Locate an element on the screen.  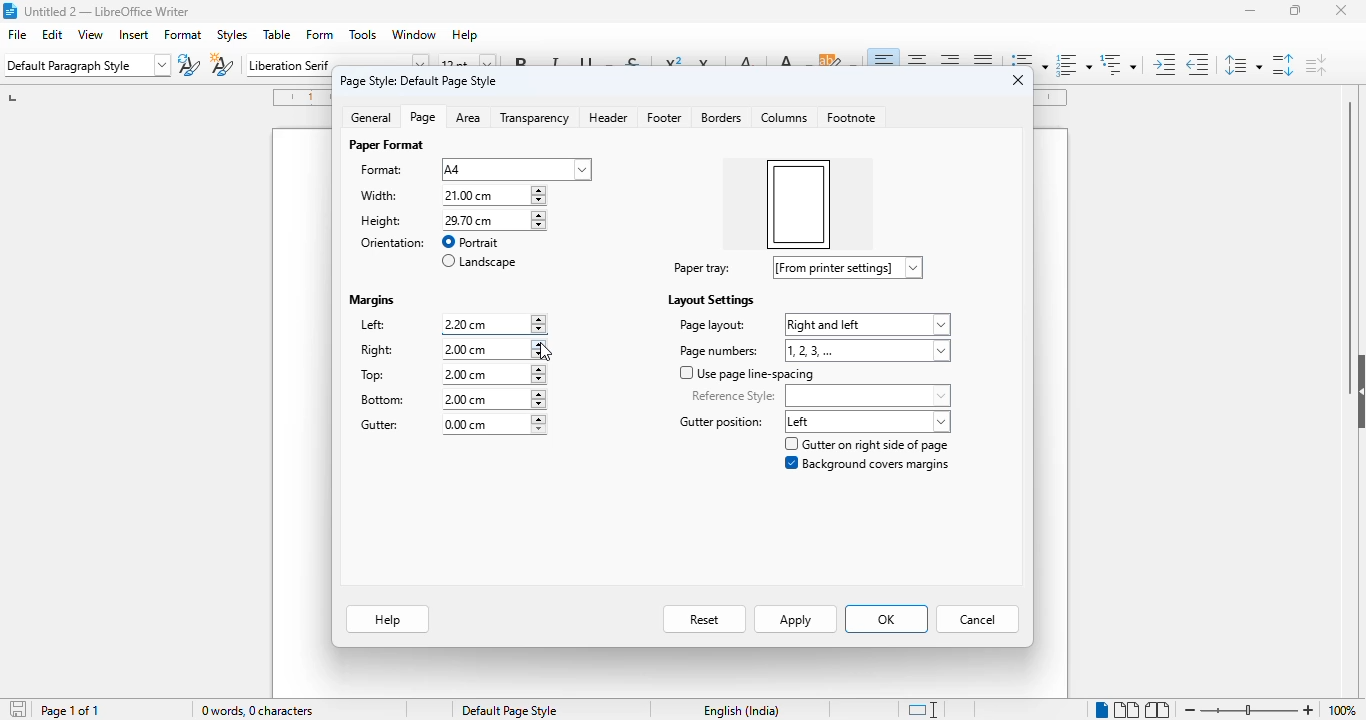
format options dropdown is located at coordinates (517, 171).